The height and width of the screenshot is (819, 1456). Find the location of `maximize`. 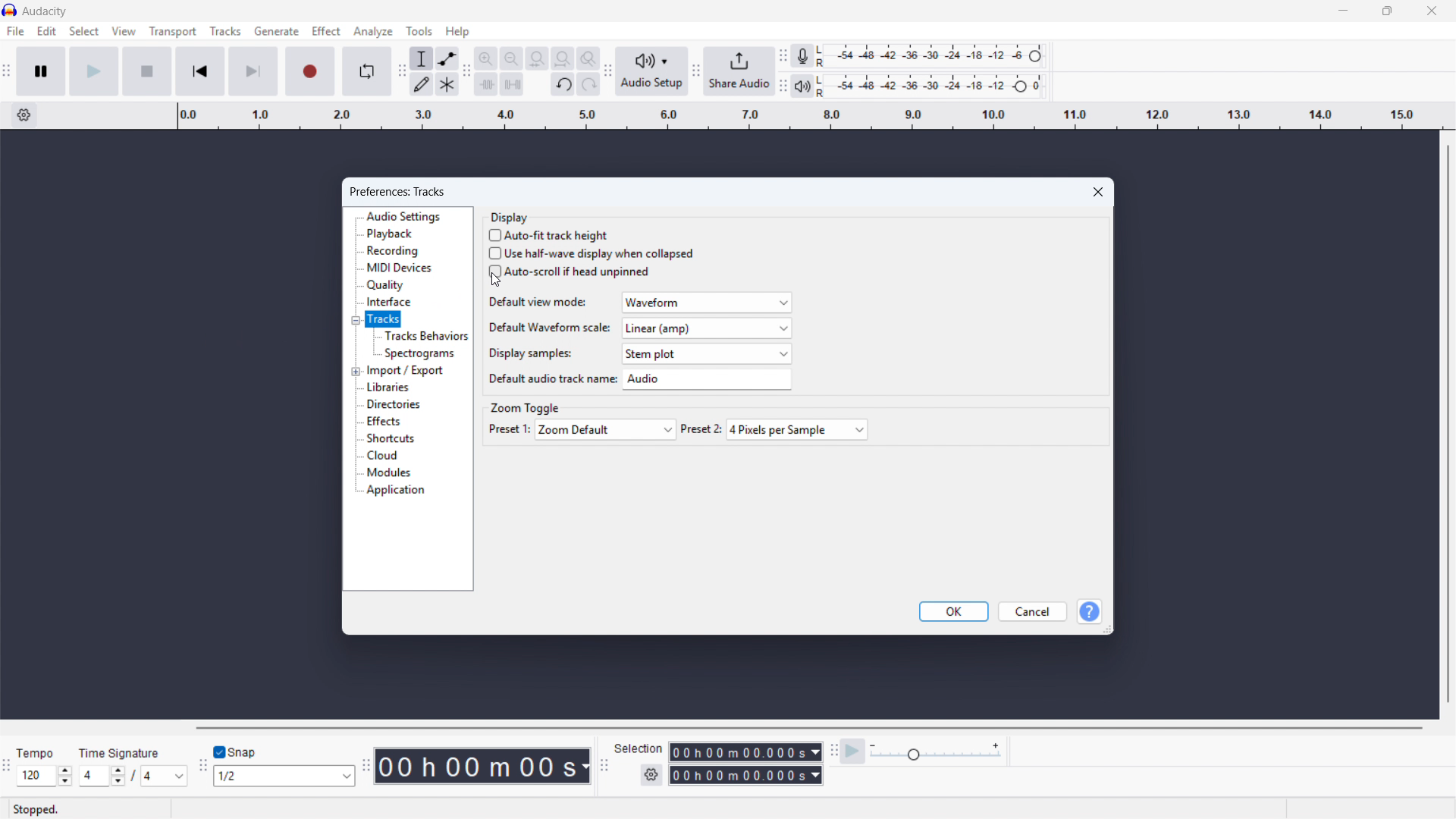

maximize is located at coordinates (1386, 11).